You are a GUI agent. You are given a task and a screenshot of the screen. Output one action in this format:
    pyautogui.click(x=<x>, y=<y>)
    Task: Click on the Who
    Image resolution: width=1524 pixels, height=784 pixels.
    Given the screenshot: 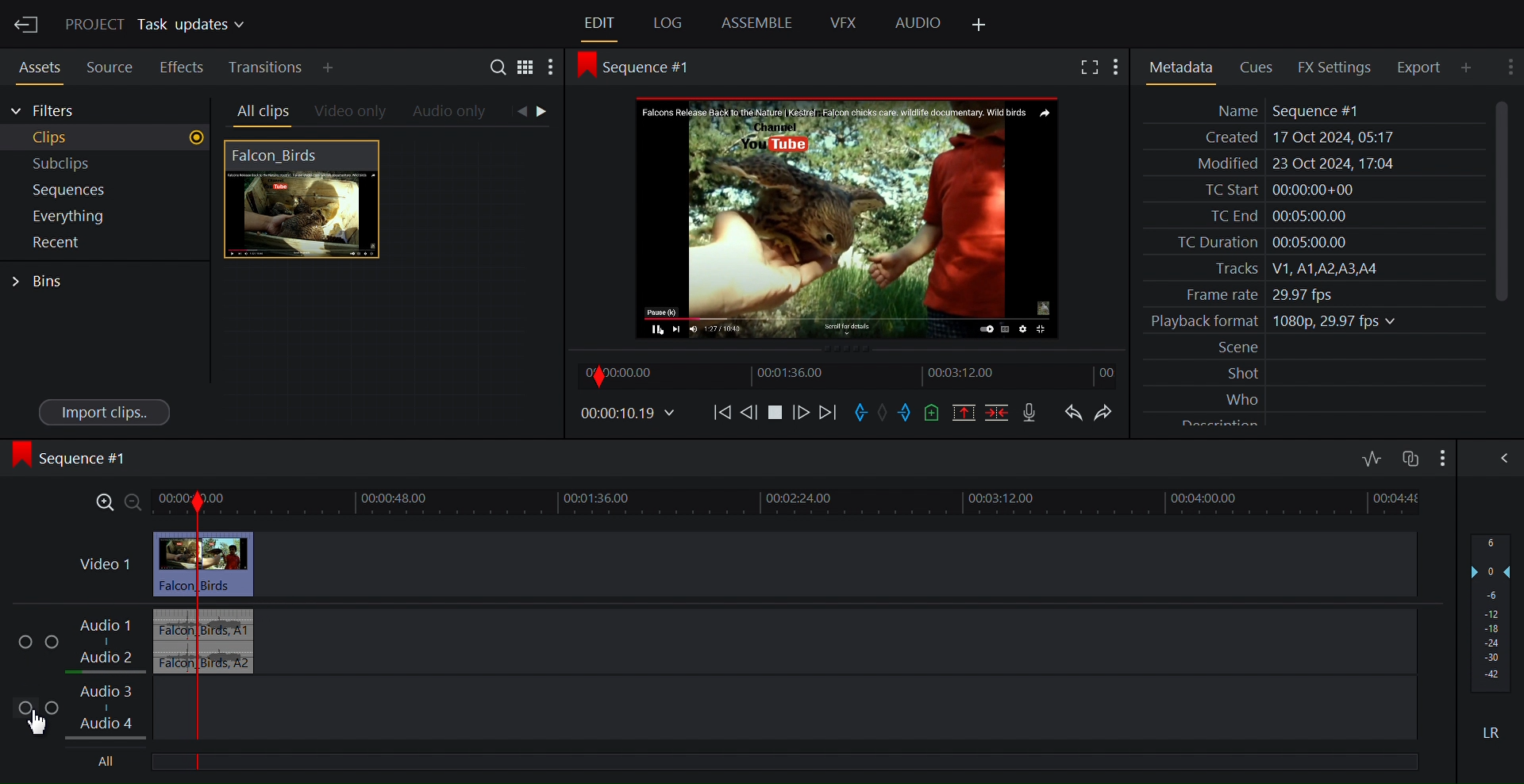 What is the action you would take?
    pyautogui.click(x=1315, y=397)
    